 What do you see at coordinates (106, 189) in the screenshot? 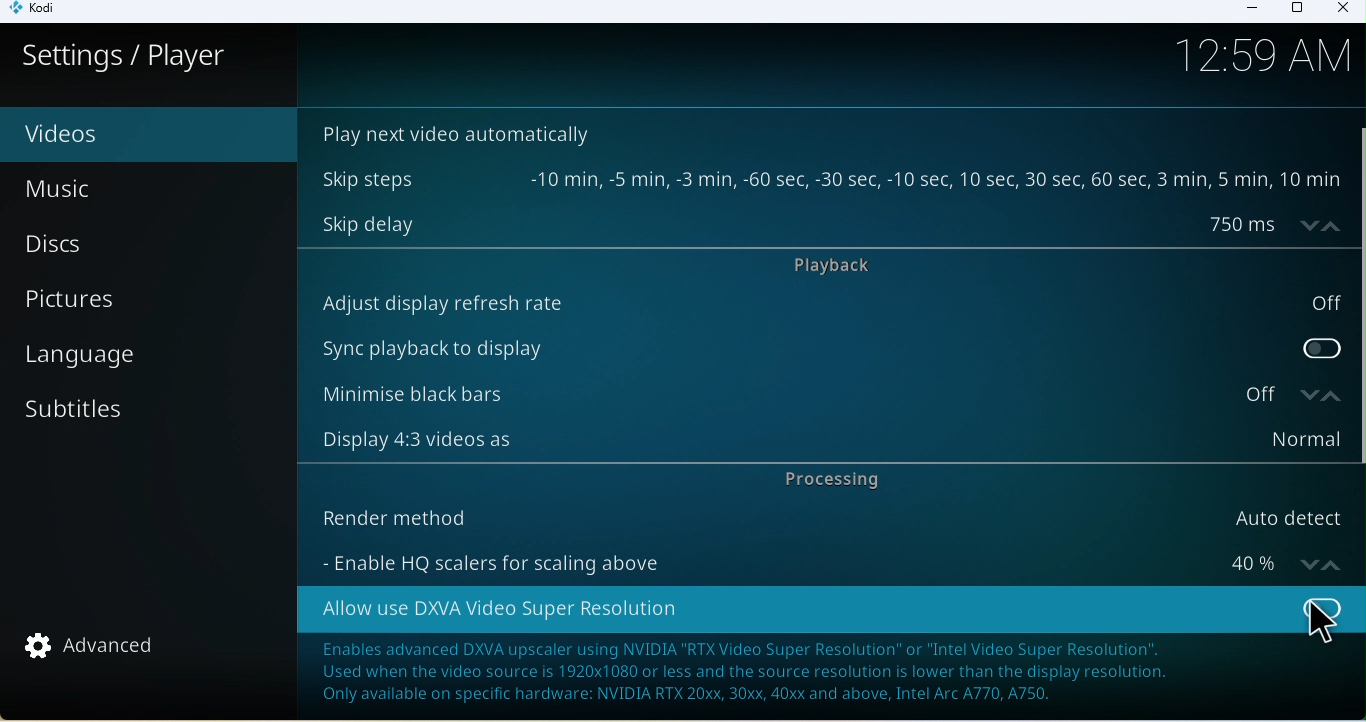
I see `Music` at bounding box center [106, 189].